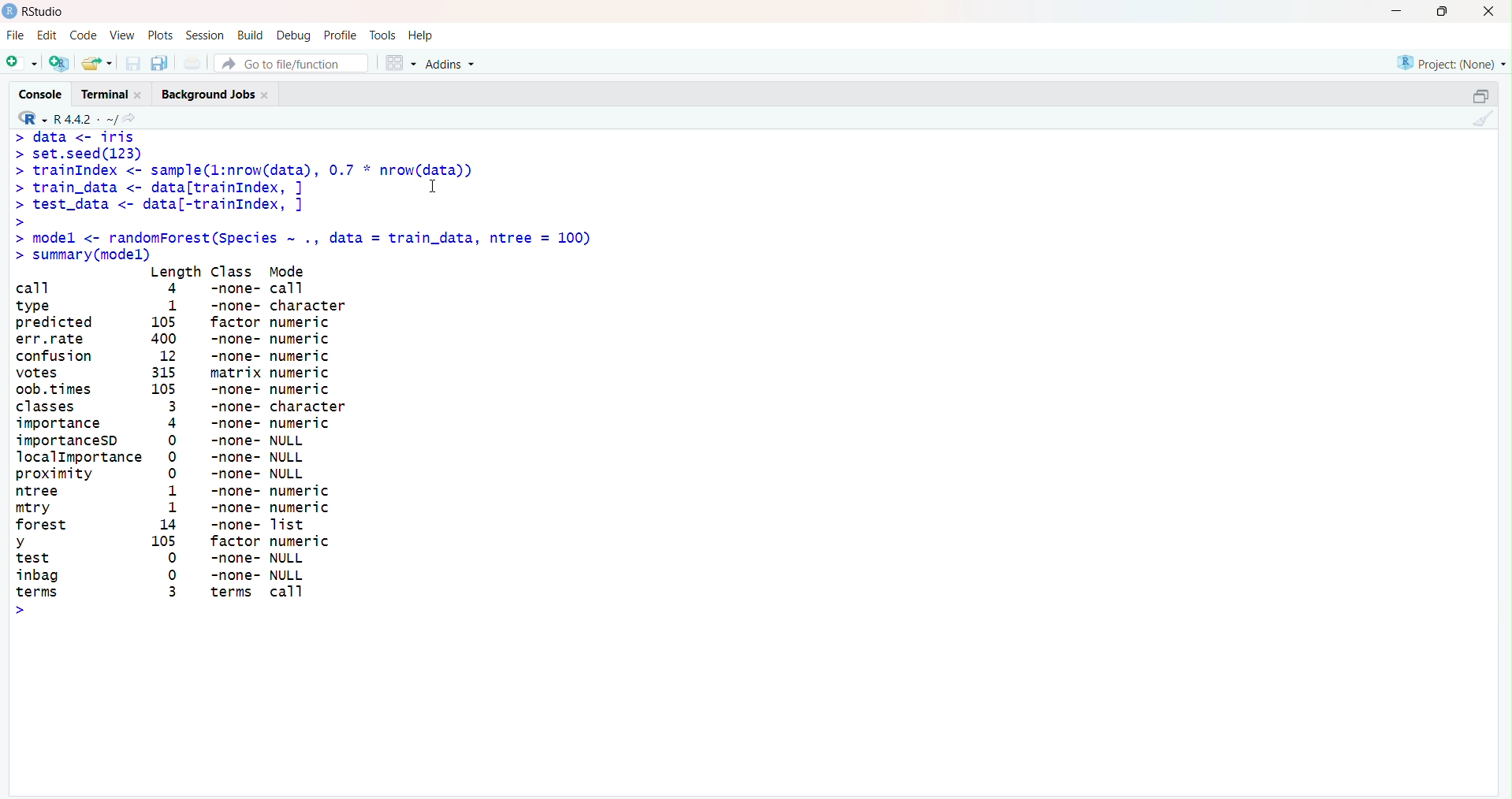  I want to click on Prompt cursor, so click(20, 221).